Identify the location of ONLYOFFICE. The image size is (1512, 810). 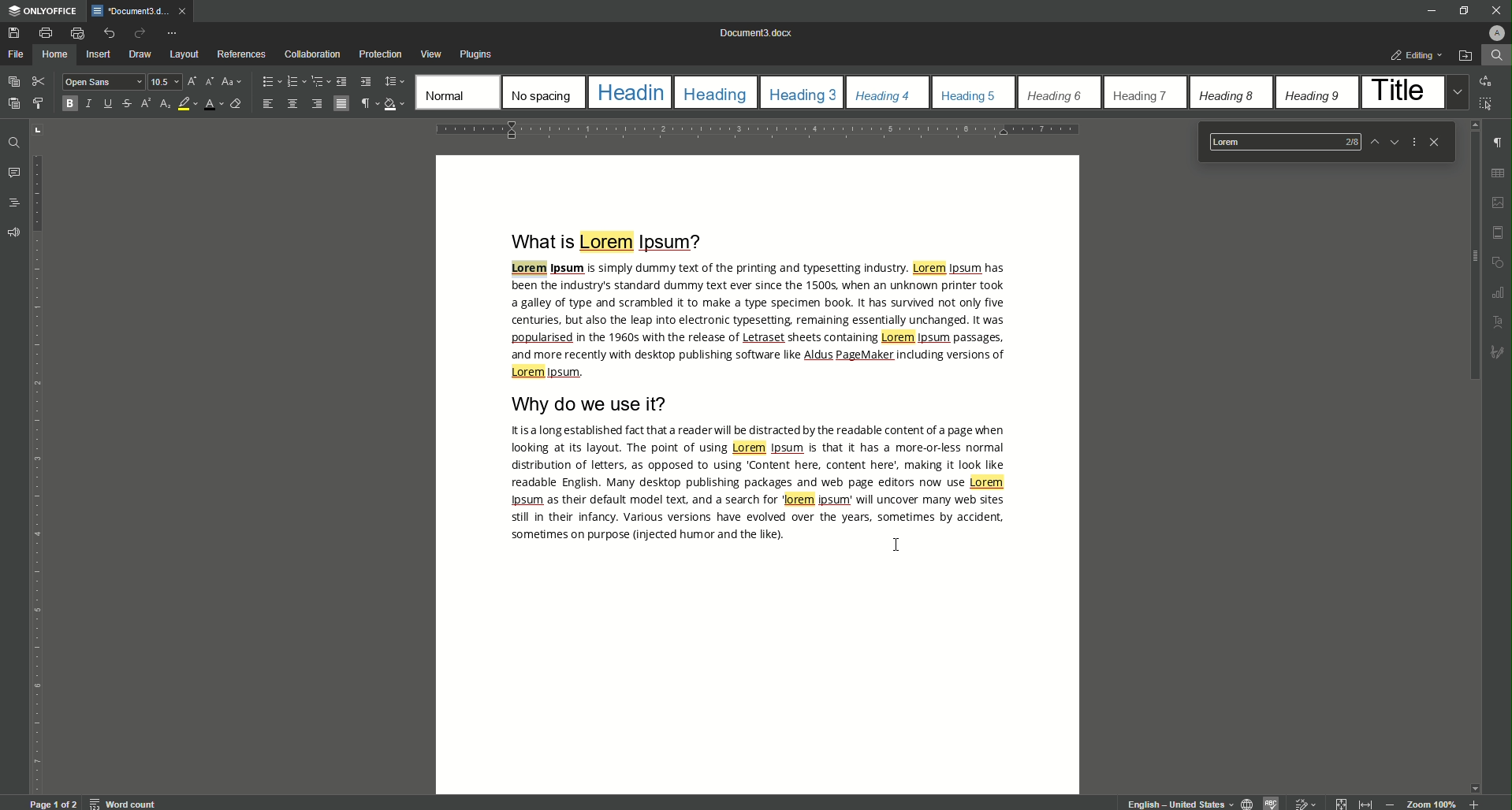
(40, 10).